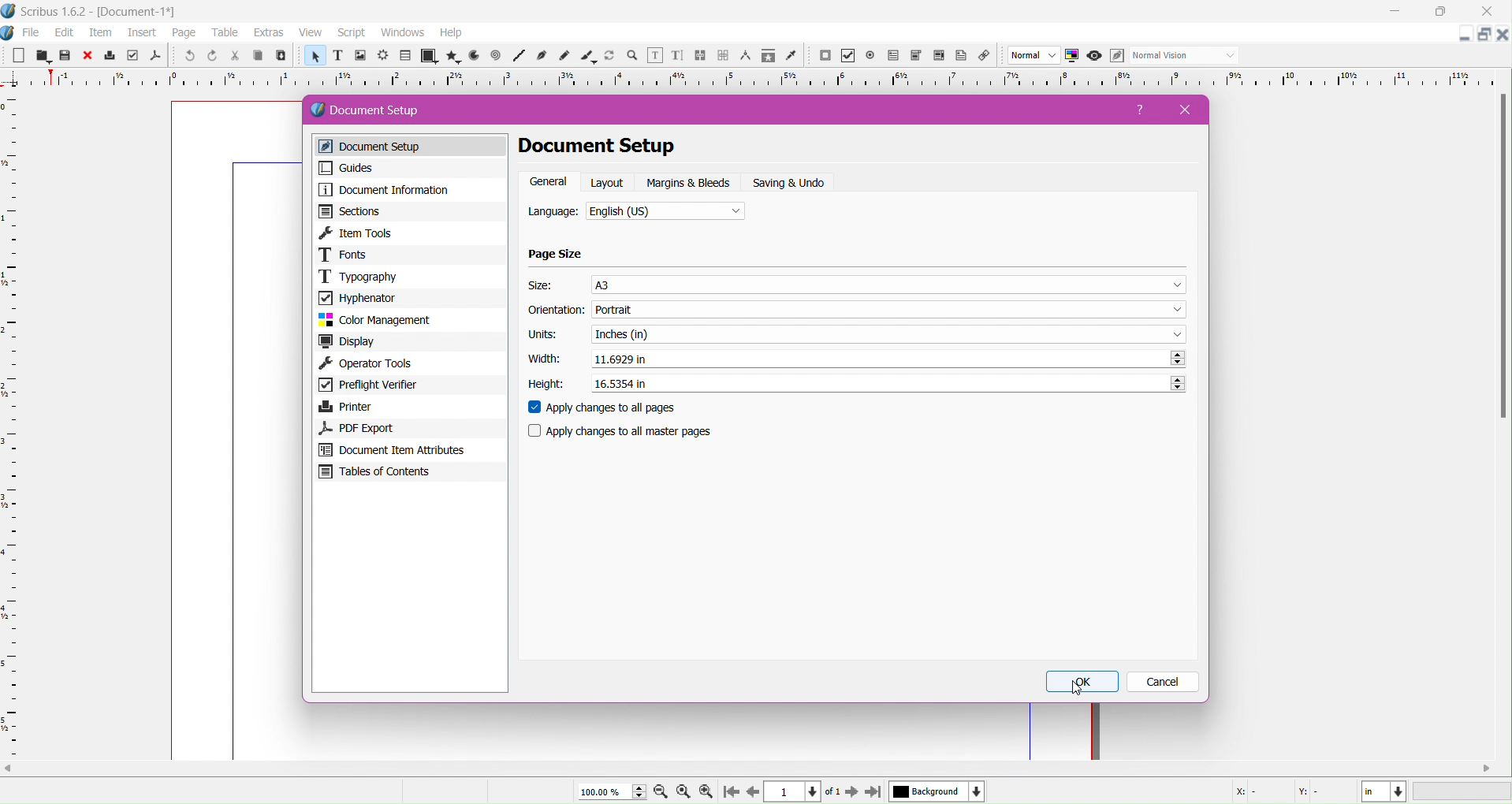  I want to click on save, so click(65, 57).